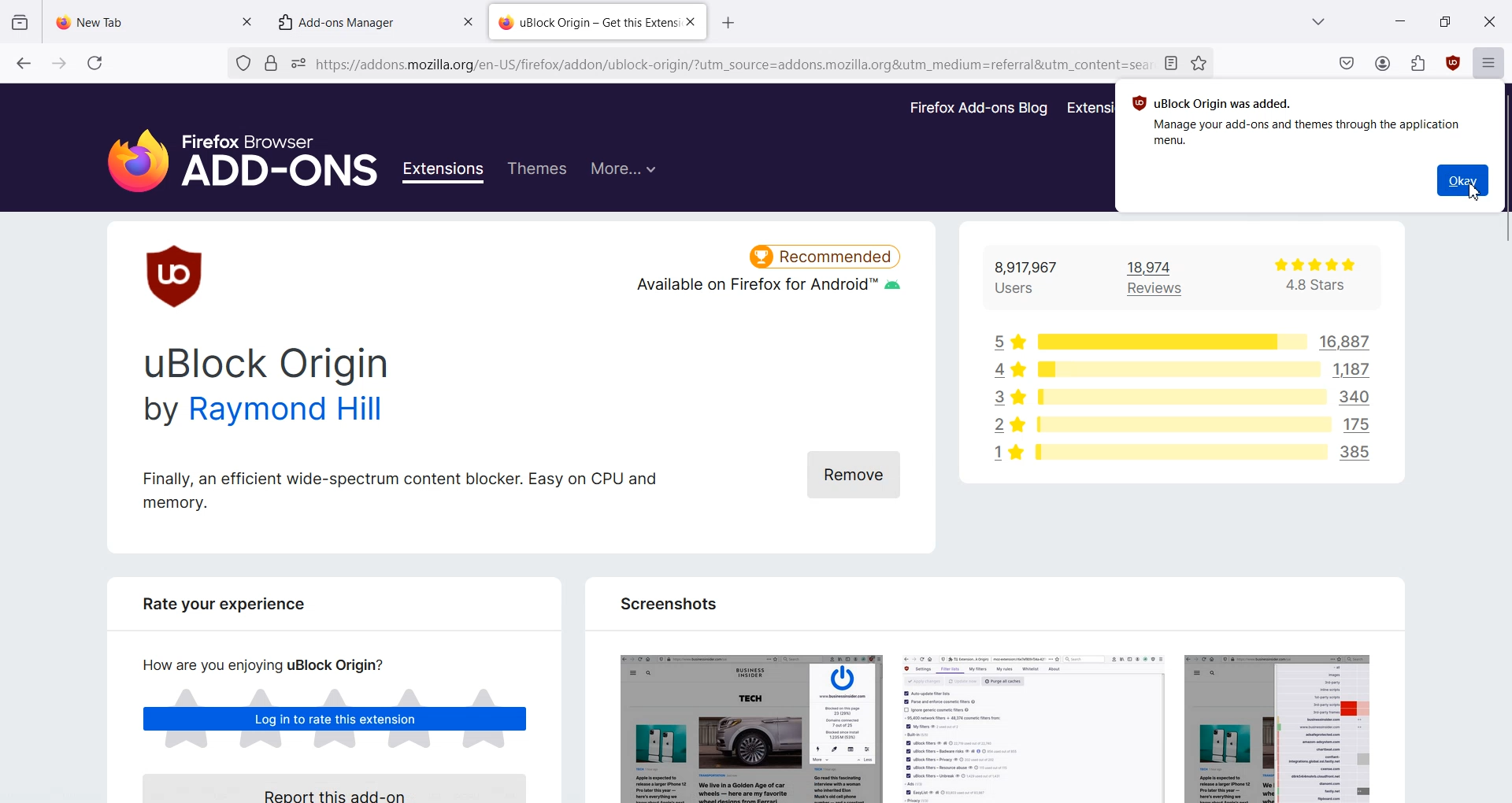 Image resolution: width=1512 pixels, height=803 pixels. I want to click on Account, so click(1386, 62).